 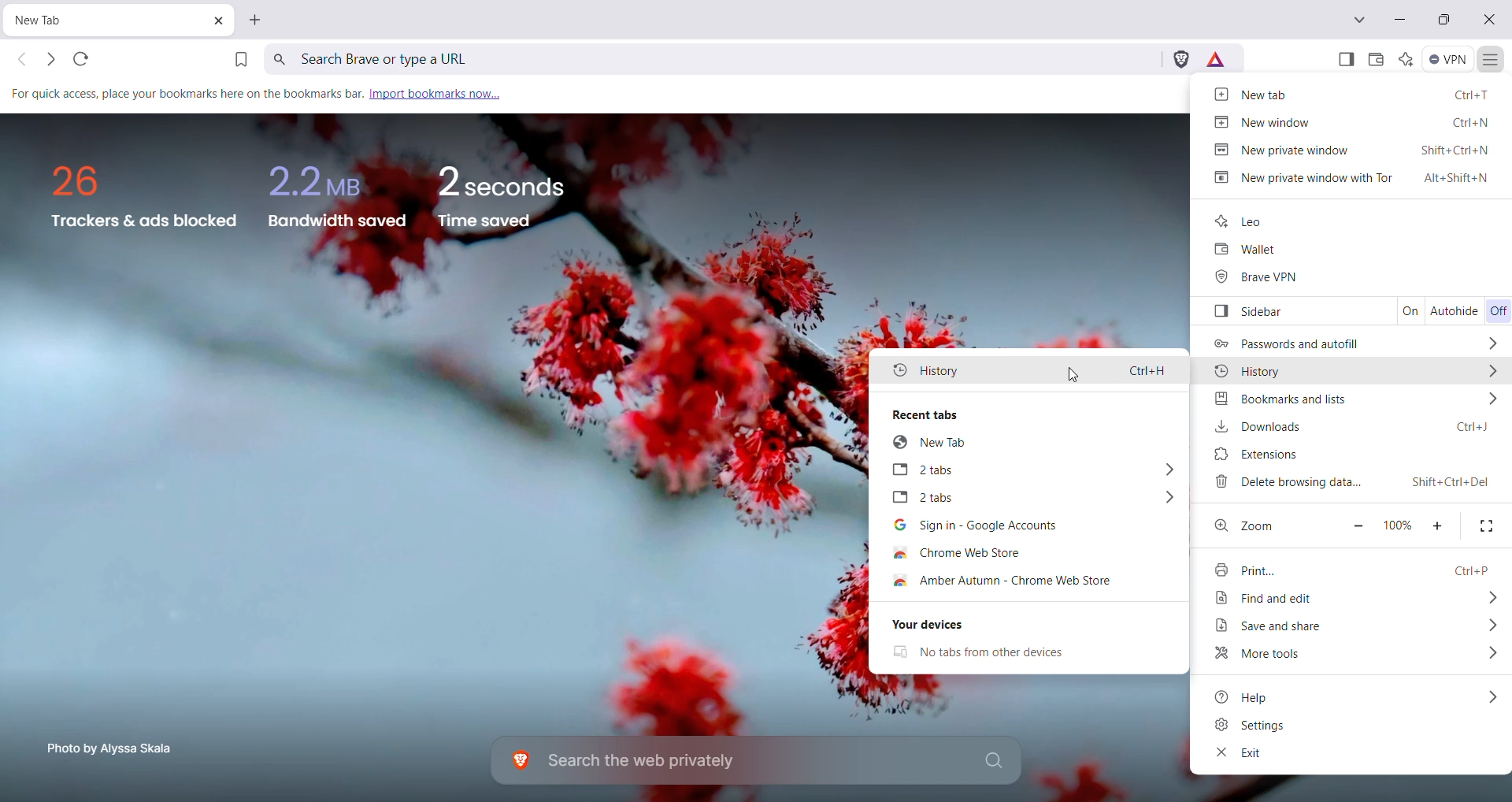 I want to click on Downloads, so click(x=1352, y=425).